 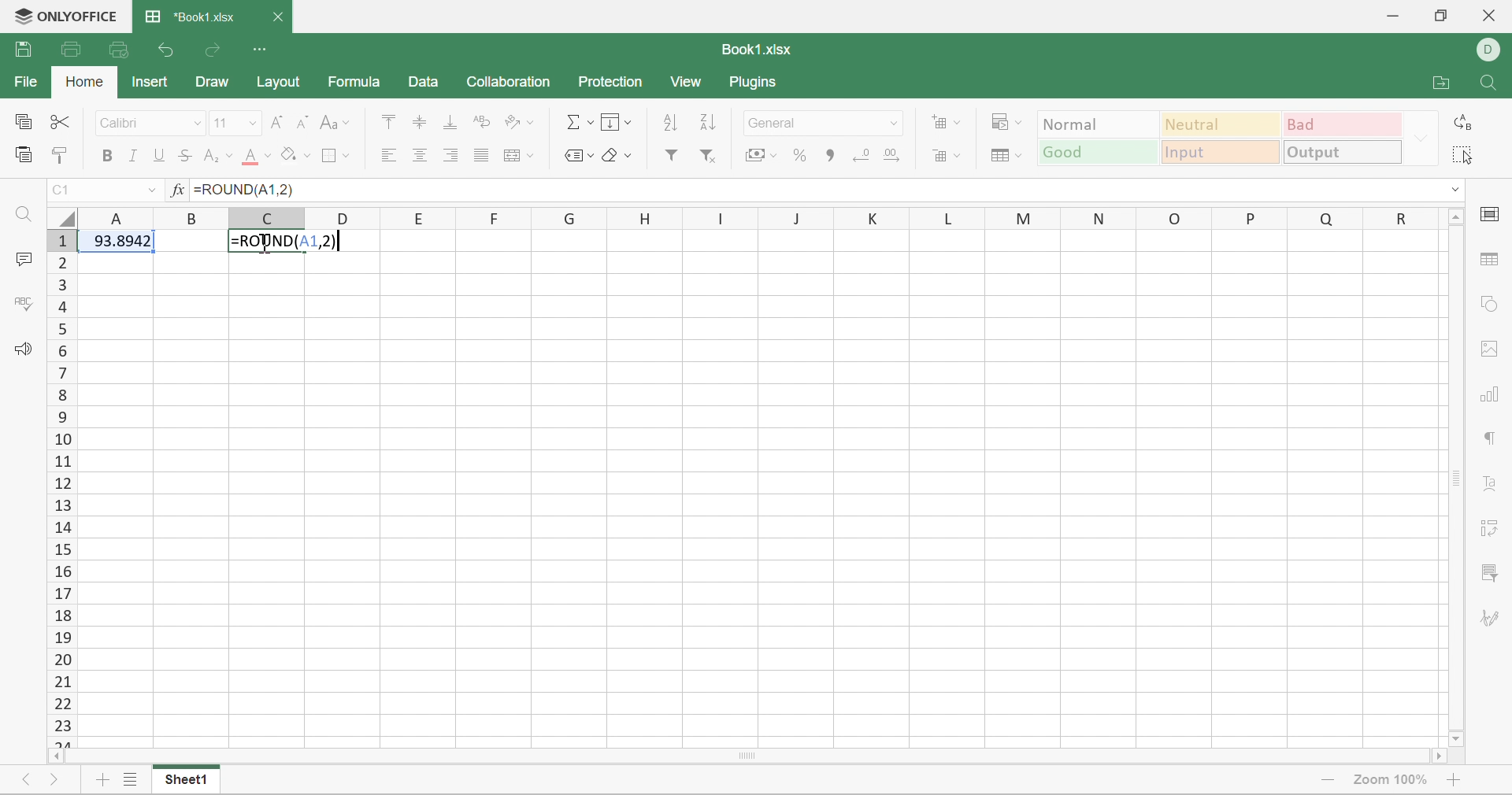 What do you see at coordinates (419, 83) in the screenshot?
I see `Data` at bounding box center [419, 83].